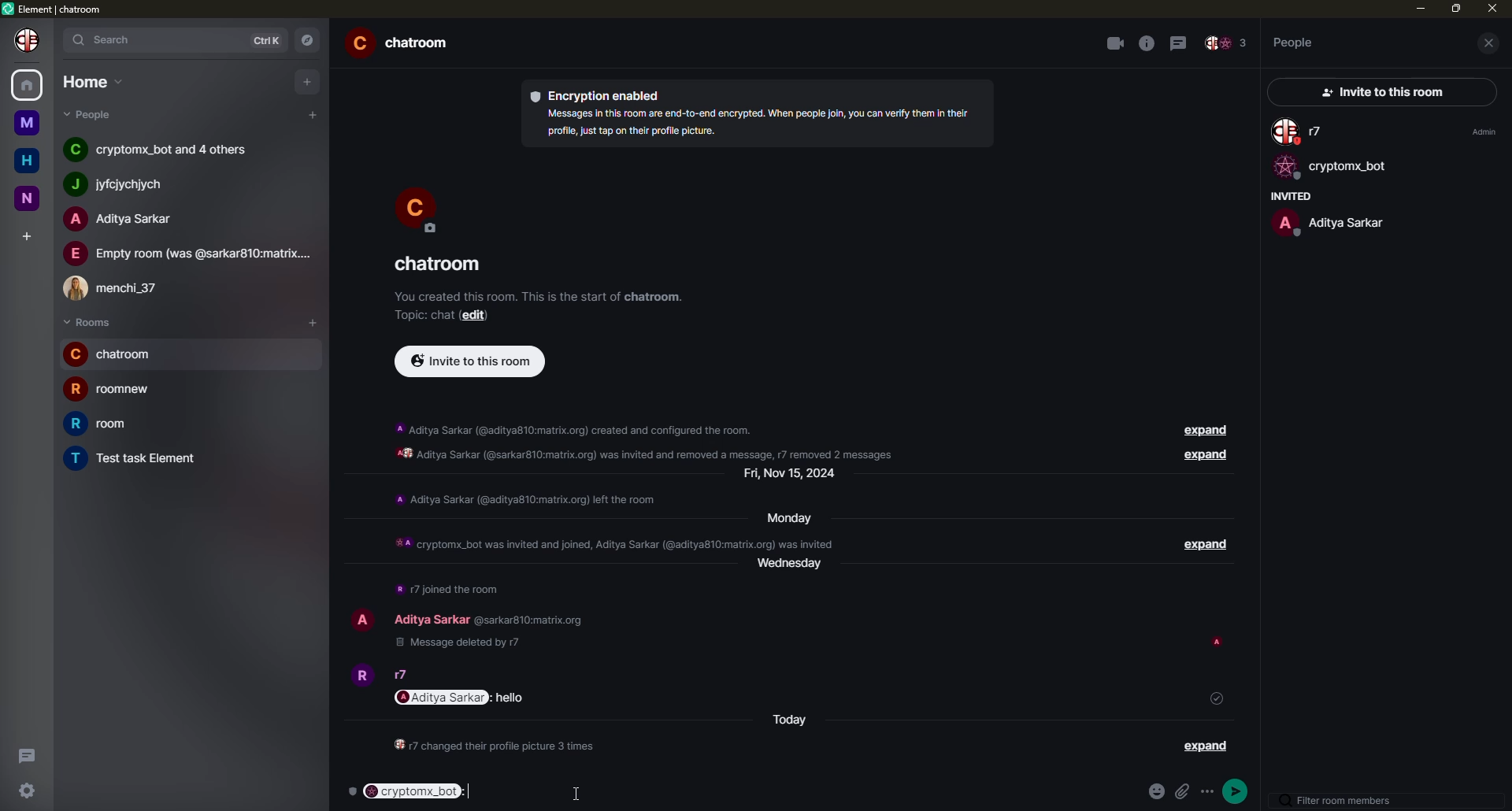 The width and height of the screenshot is (1512, 811). I want to click on info, so click(493, 745).